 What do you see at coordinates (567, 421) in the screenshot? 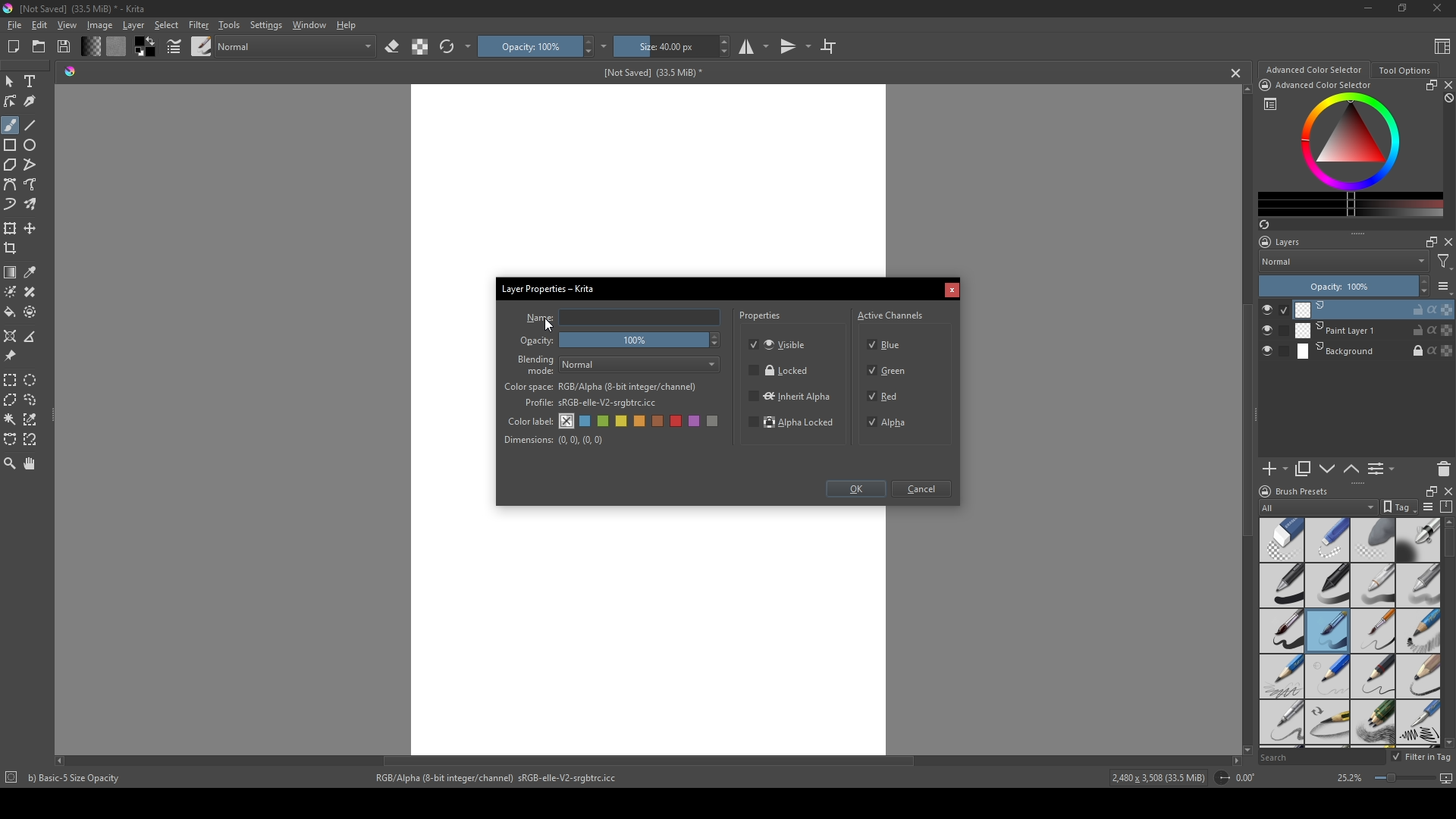
I see `no color` at bounding box center [567, 421].